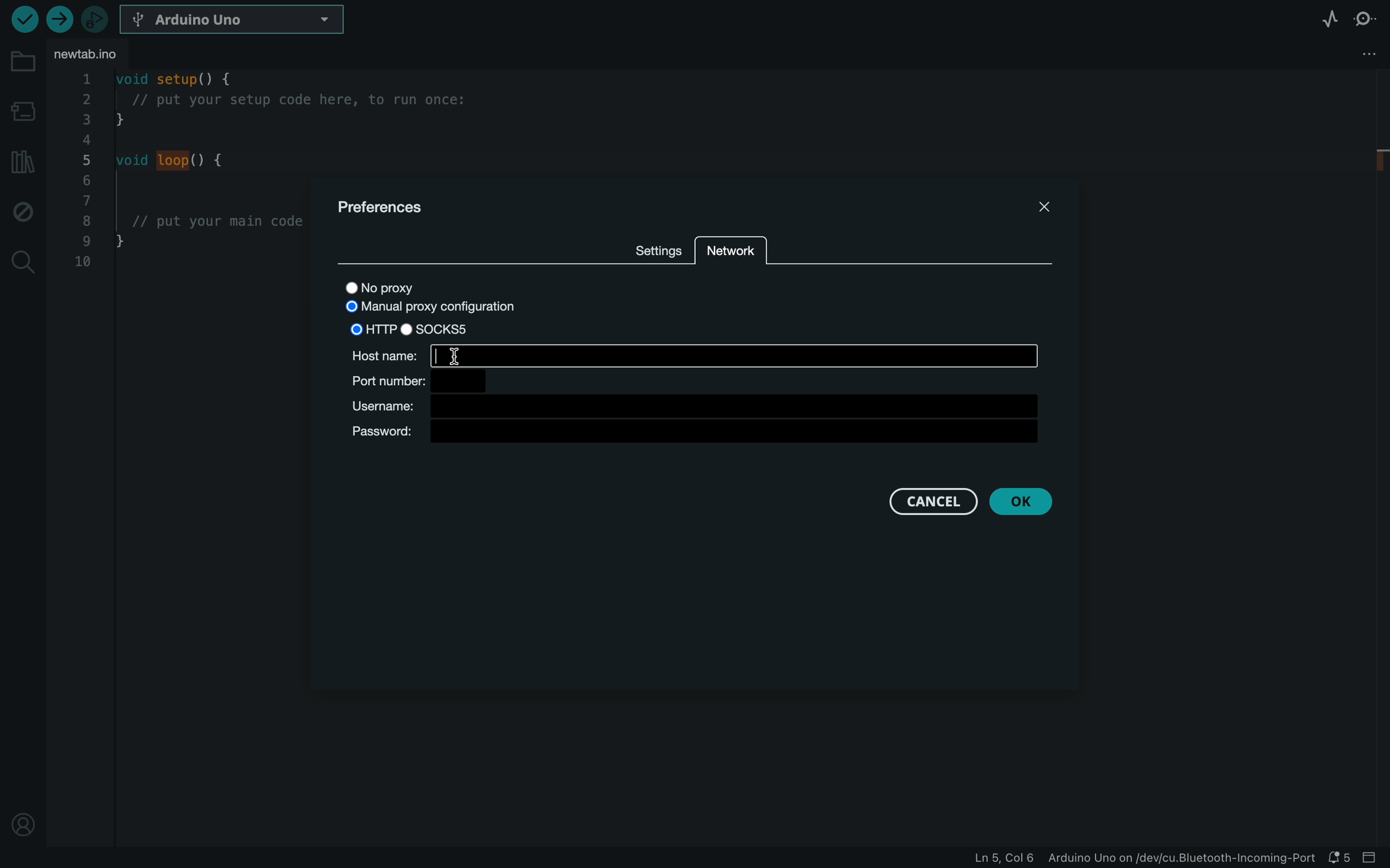  Describe the element at coordinates (378, 353) in the screenshot. I see `host name` at that location.